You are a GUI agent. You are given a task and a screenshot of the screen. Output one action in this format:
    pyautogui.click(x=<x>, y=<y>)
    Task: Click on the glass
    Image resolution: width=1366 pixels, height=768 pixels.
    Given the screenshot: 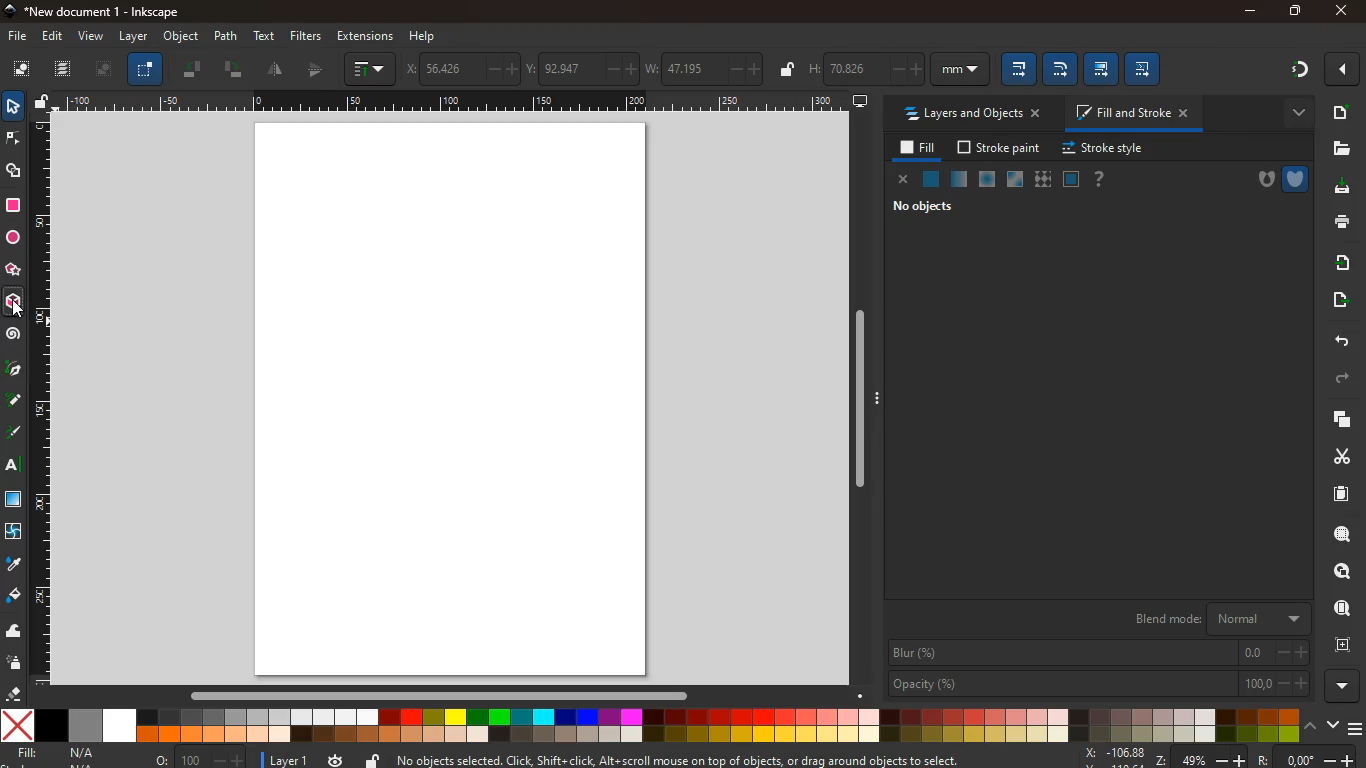 What is the action you would take?
    pyautogui.click(x=1013, y=180)
    